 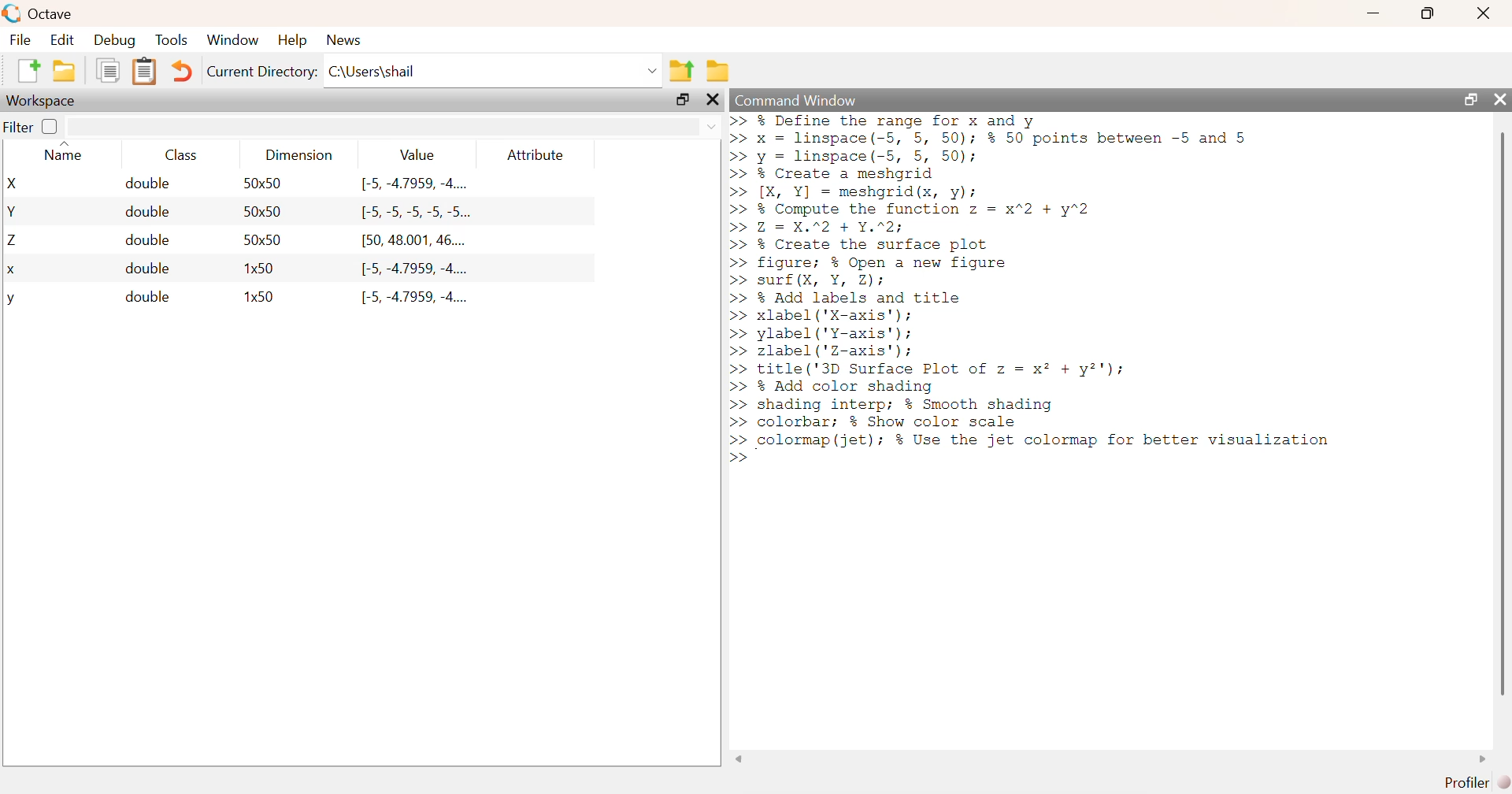 What do you see at coordinates (414, 184) in the screenshot?
I see `[-5, -4.7959, 4...` at bounding box center [414, 184].